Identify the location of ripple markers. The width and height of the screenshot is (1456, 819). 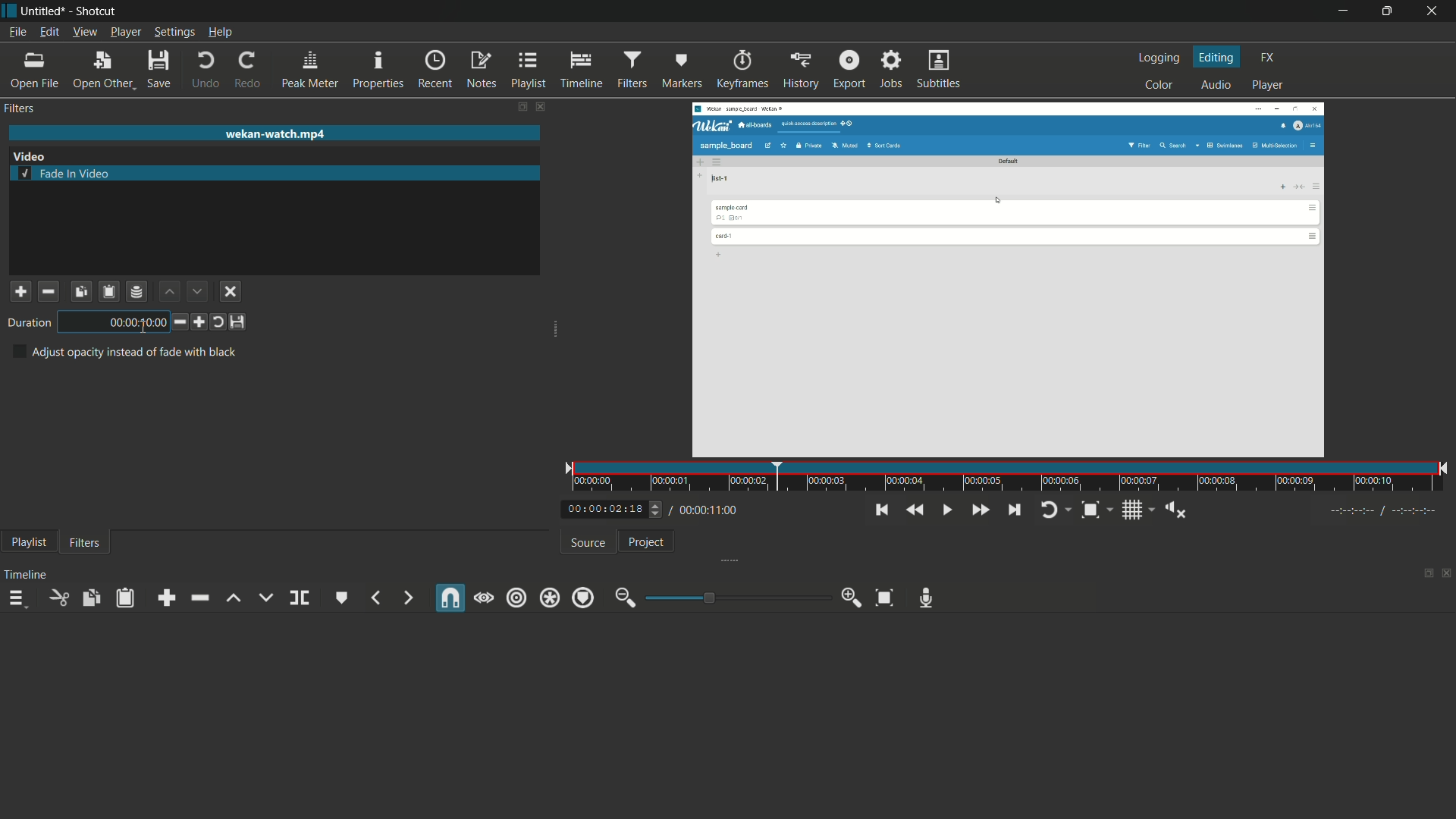
(584, 597).